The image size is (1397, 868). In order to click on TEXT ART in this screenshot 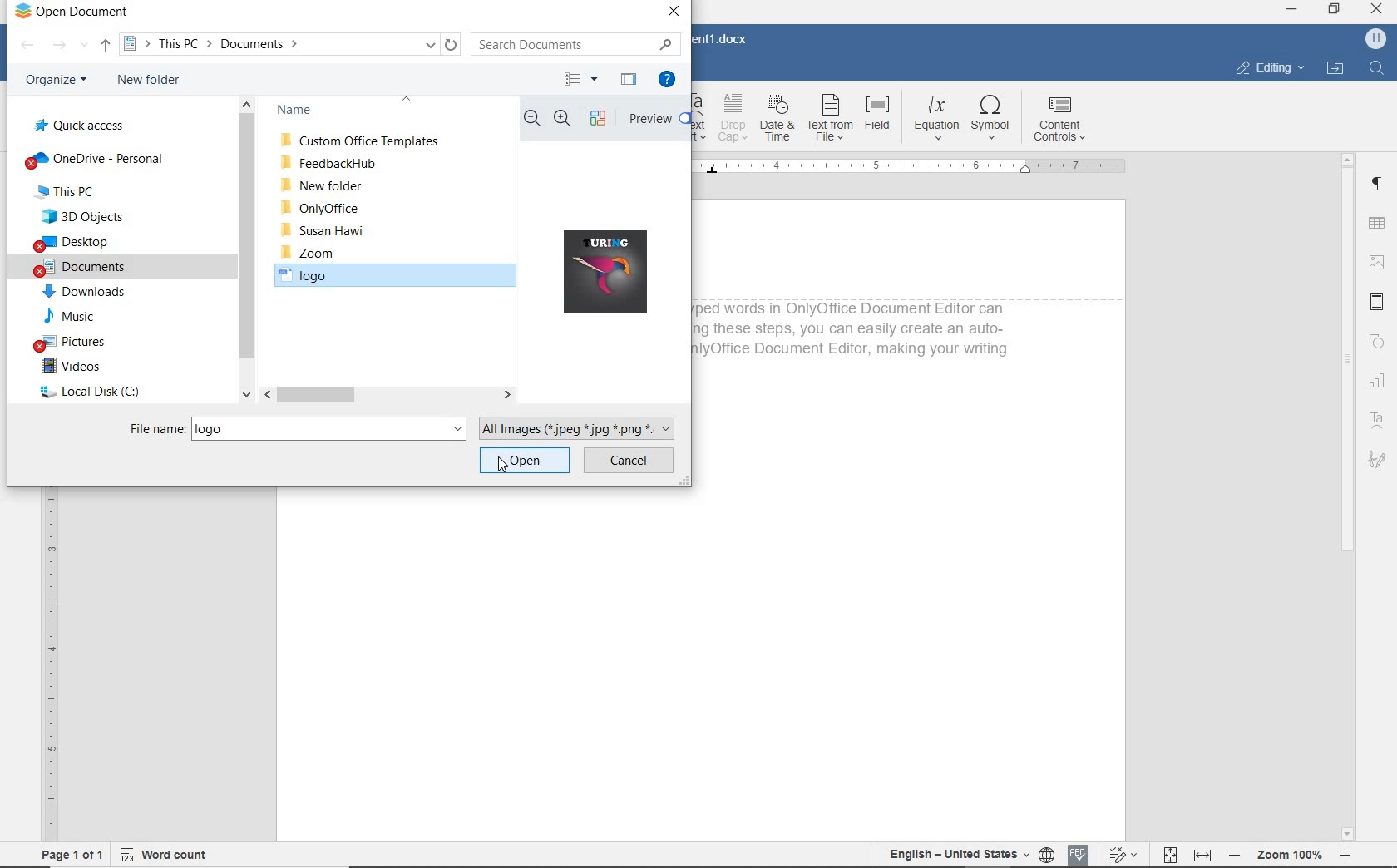, I will do `click(701, 121)`.